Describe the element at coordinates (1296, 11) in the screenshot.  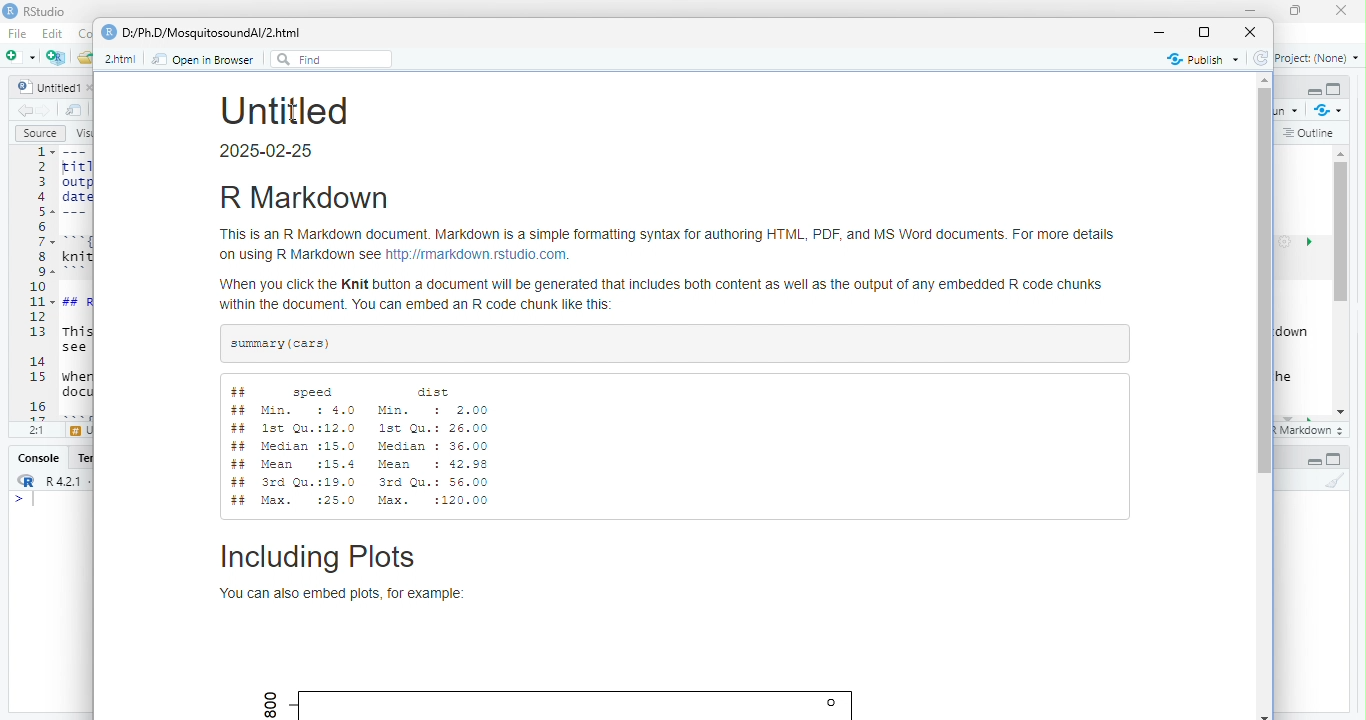
I see `maximise` at that location.